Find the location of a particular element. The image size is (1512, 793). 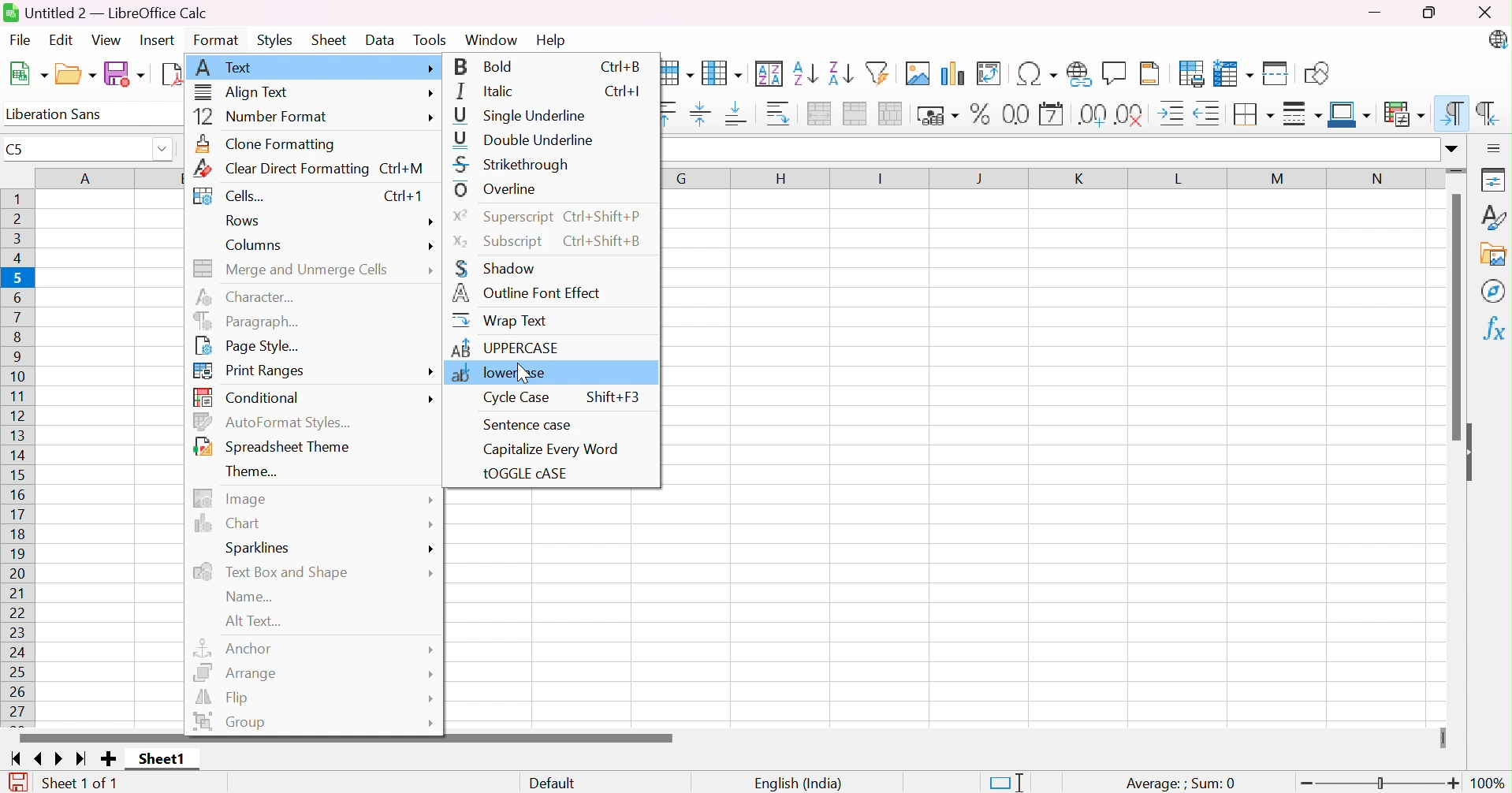

Wrap Text is located at coordinates (498, 319).